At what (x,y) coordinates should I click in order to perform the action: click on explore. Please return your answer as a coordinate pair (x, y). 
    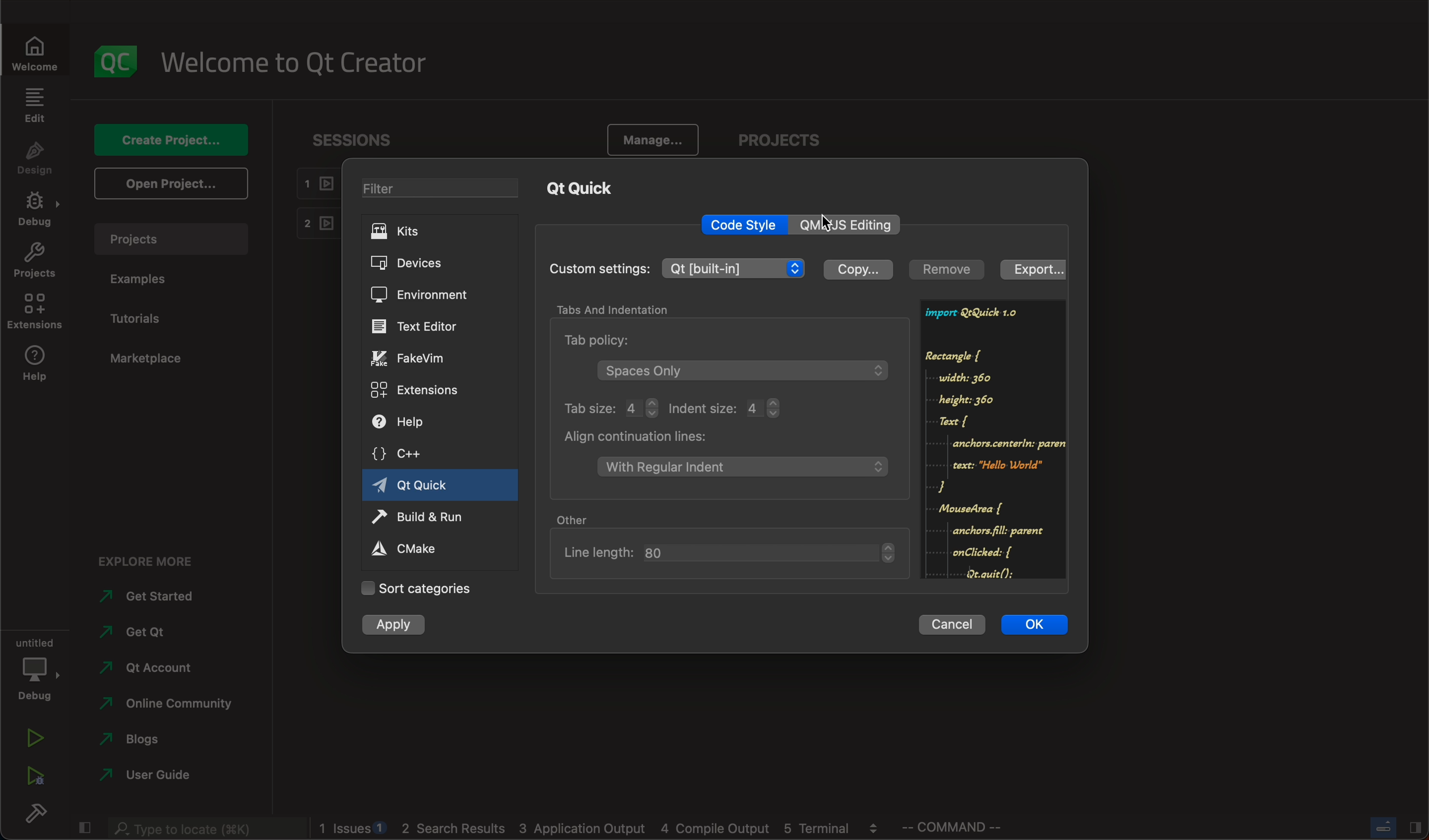
    Looking at the image, I should click on (150, 561).